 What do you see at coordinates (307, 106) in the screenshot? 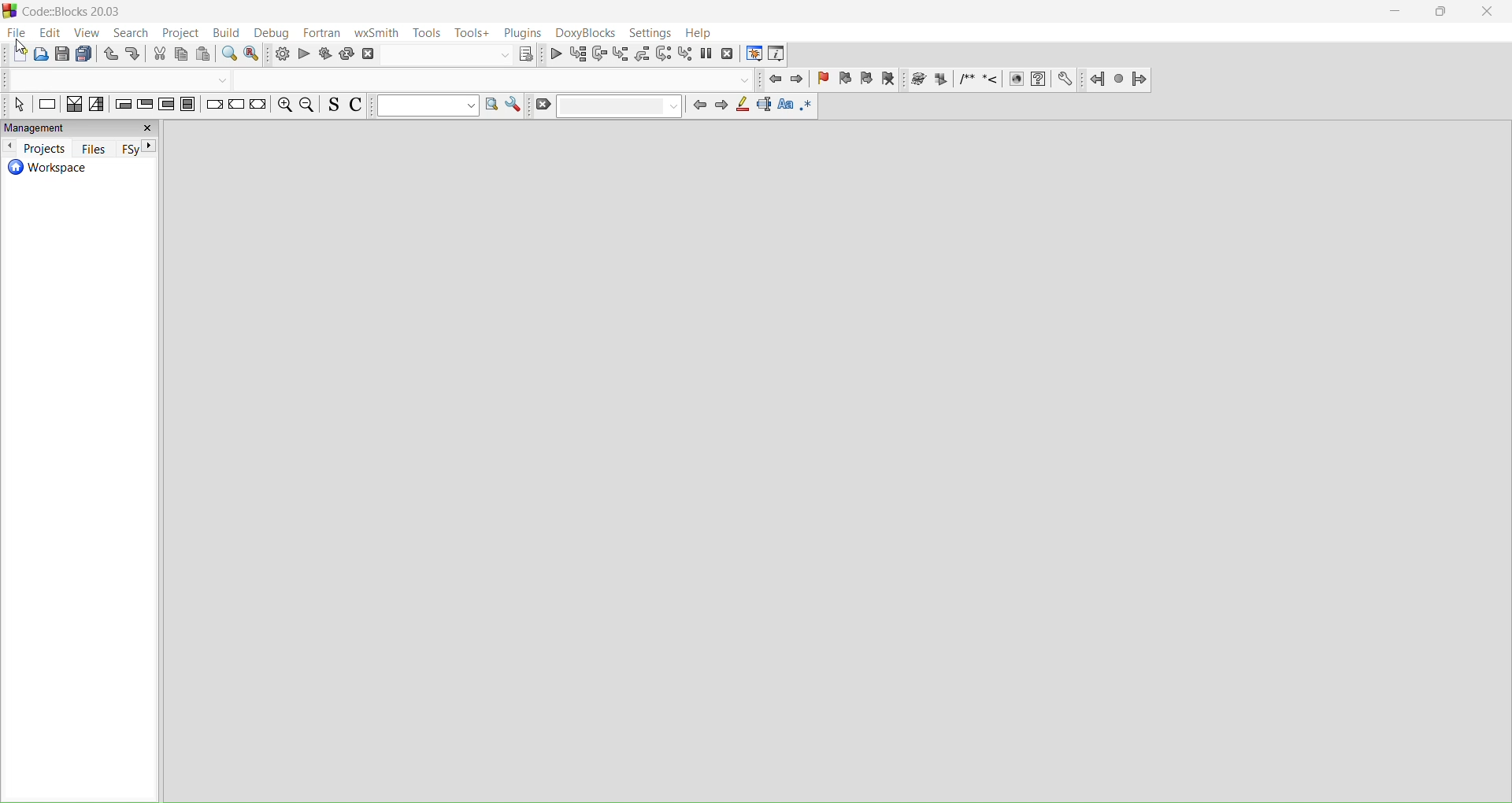
I see `zoom out` at bounding box center [307, 106].